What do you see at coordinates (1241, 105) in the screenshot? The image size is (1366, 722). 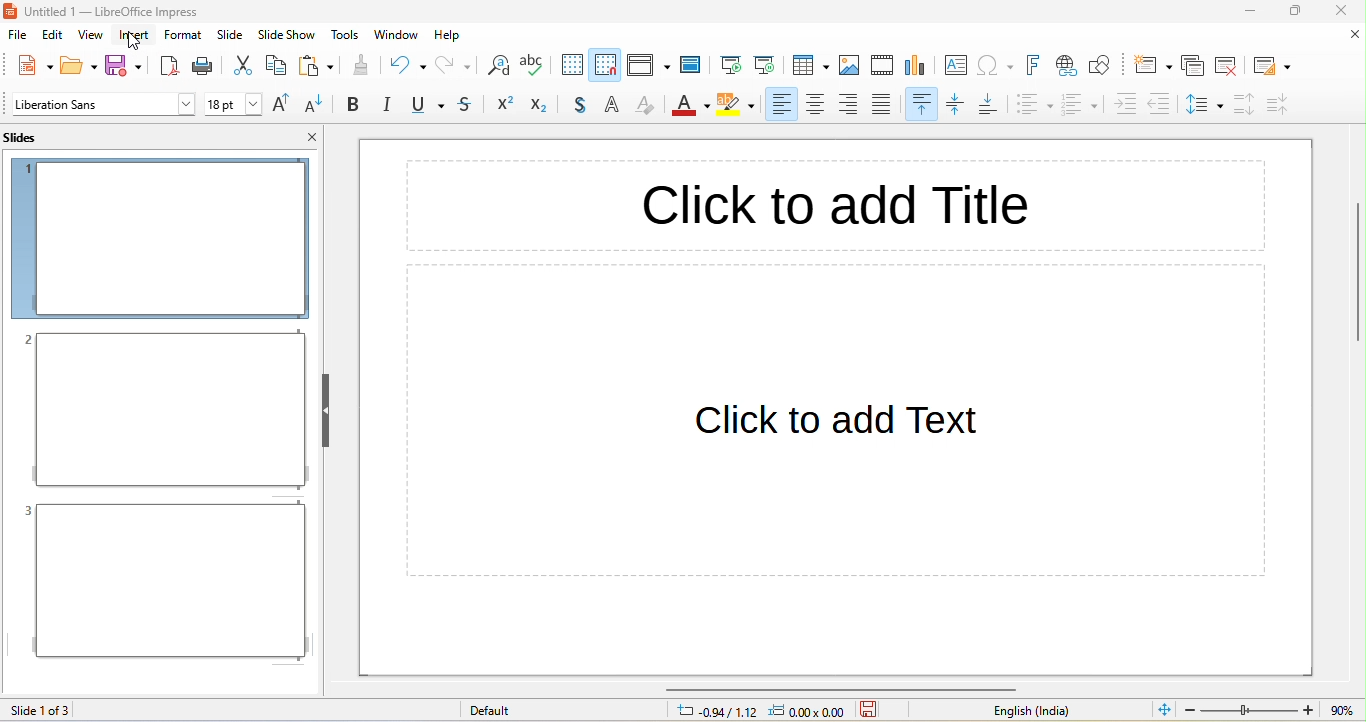 I see `increase paragraph spacing` at bounding box center [1241, 105].